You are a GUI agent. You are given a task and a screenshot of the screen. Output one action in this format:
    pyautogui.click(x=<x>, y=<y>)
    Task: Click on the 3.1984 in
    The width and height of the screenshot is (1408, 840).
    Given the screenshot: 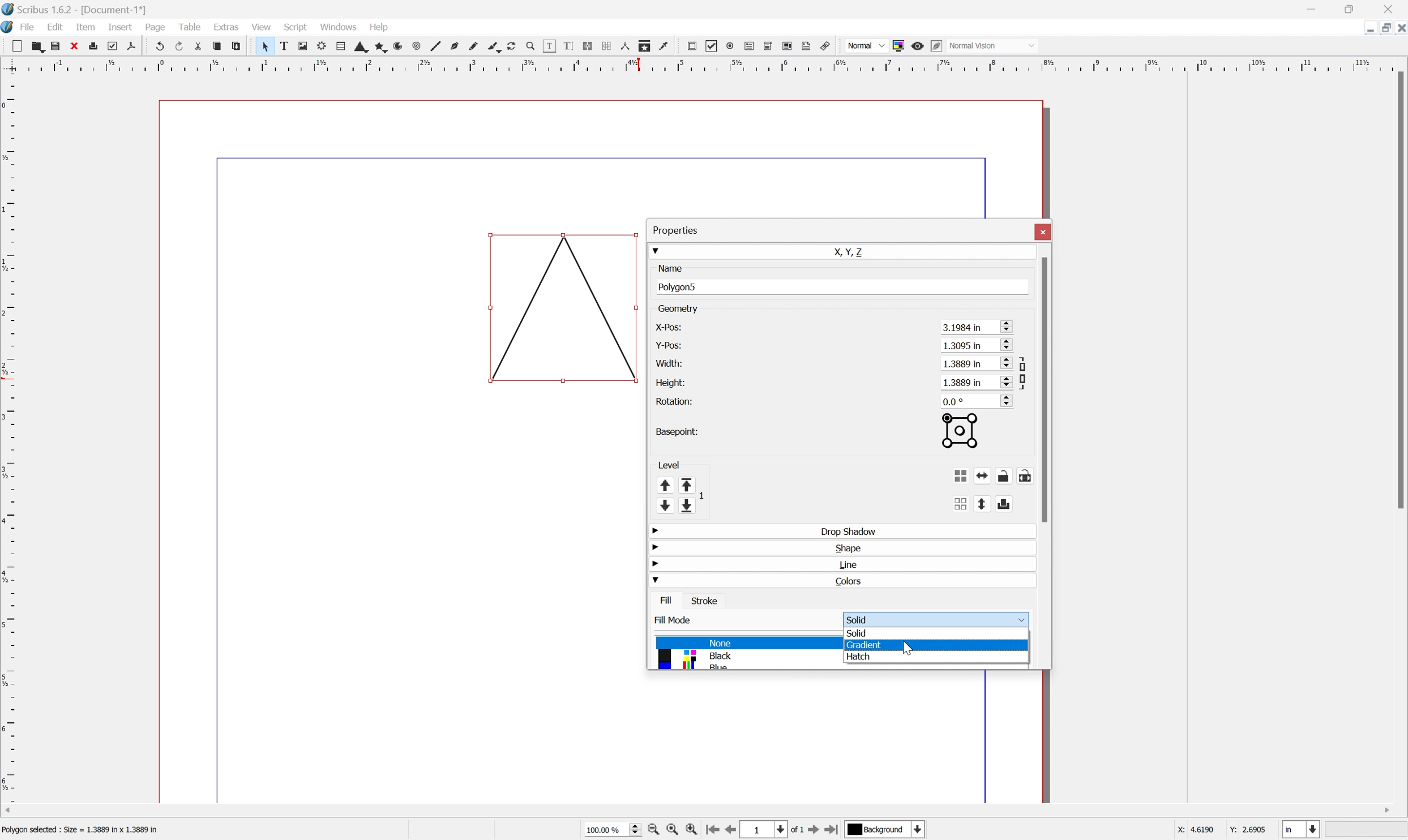 What is the action you would take?
    pyautogui.click(x=977, y=327)
    